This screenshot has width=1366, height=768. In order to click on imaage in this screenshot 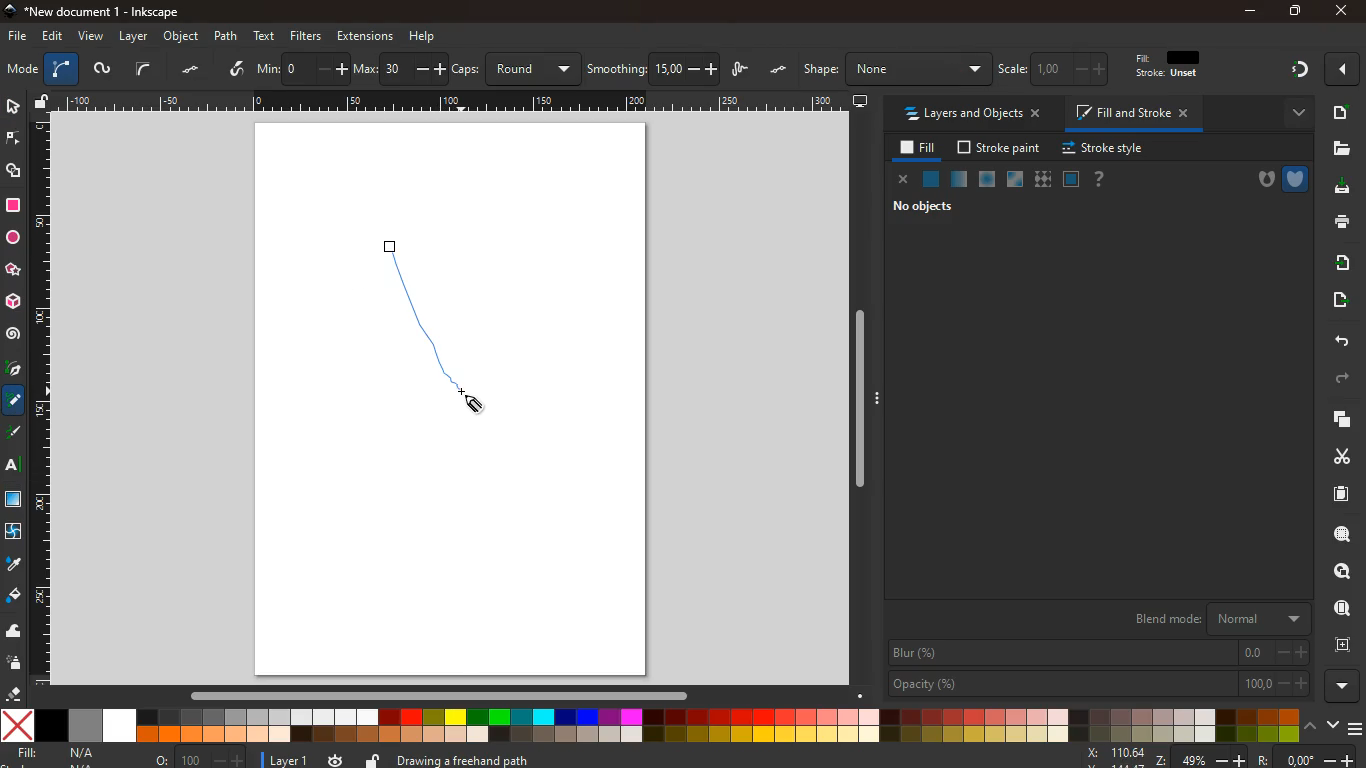, I will do `click(15, 501)`.